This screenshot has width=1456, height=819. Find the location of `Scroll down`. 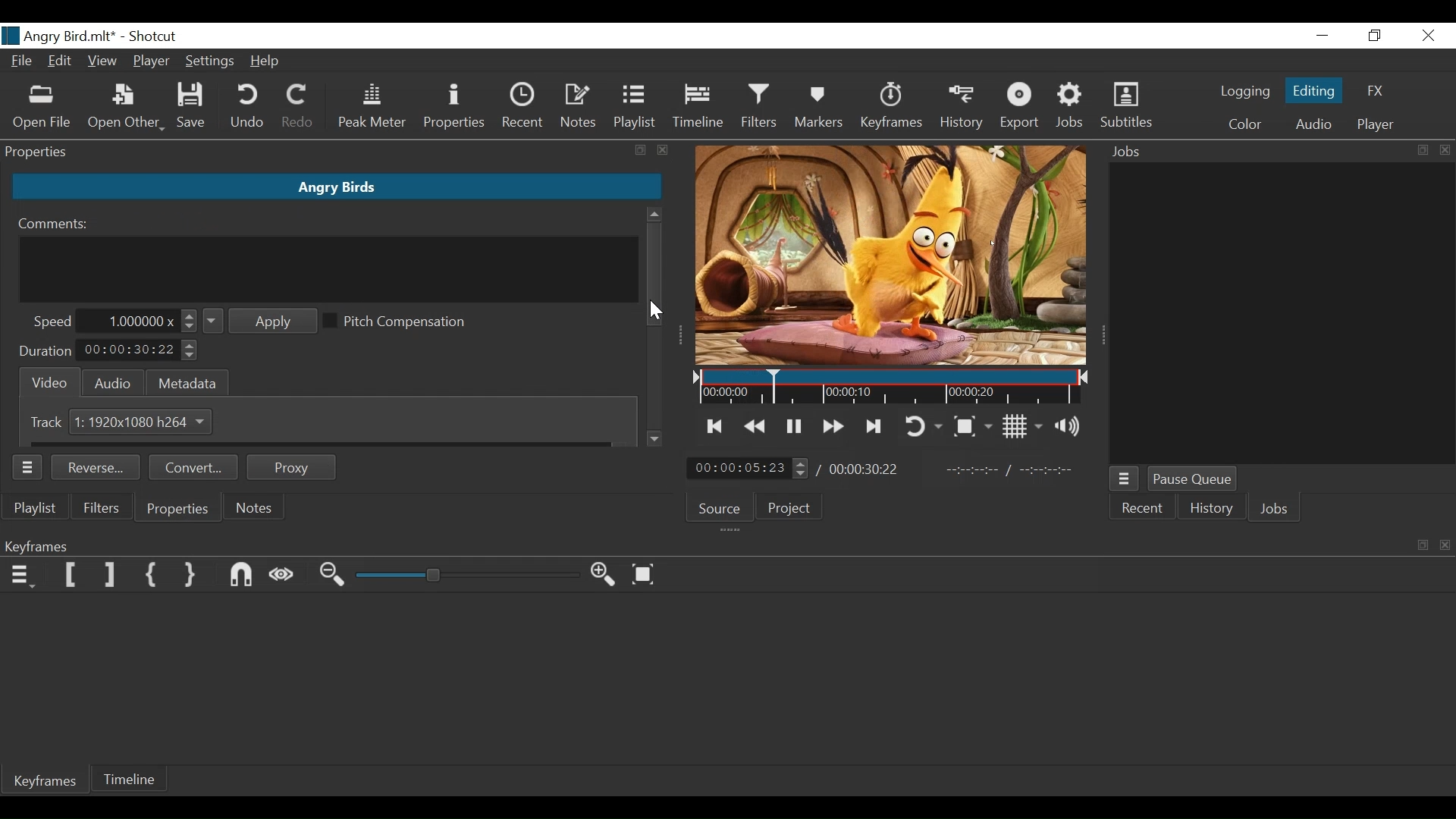

Scroll down is located at coordinates (654, 438).